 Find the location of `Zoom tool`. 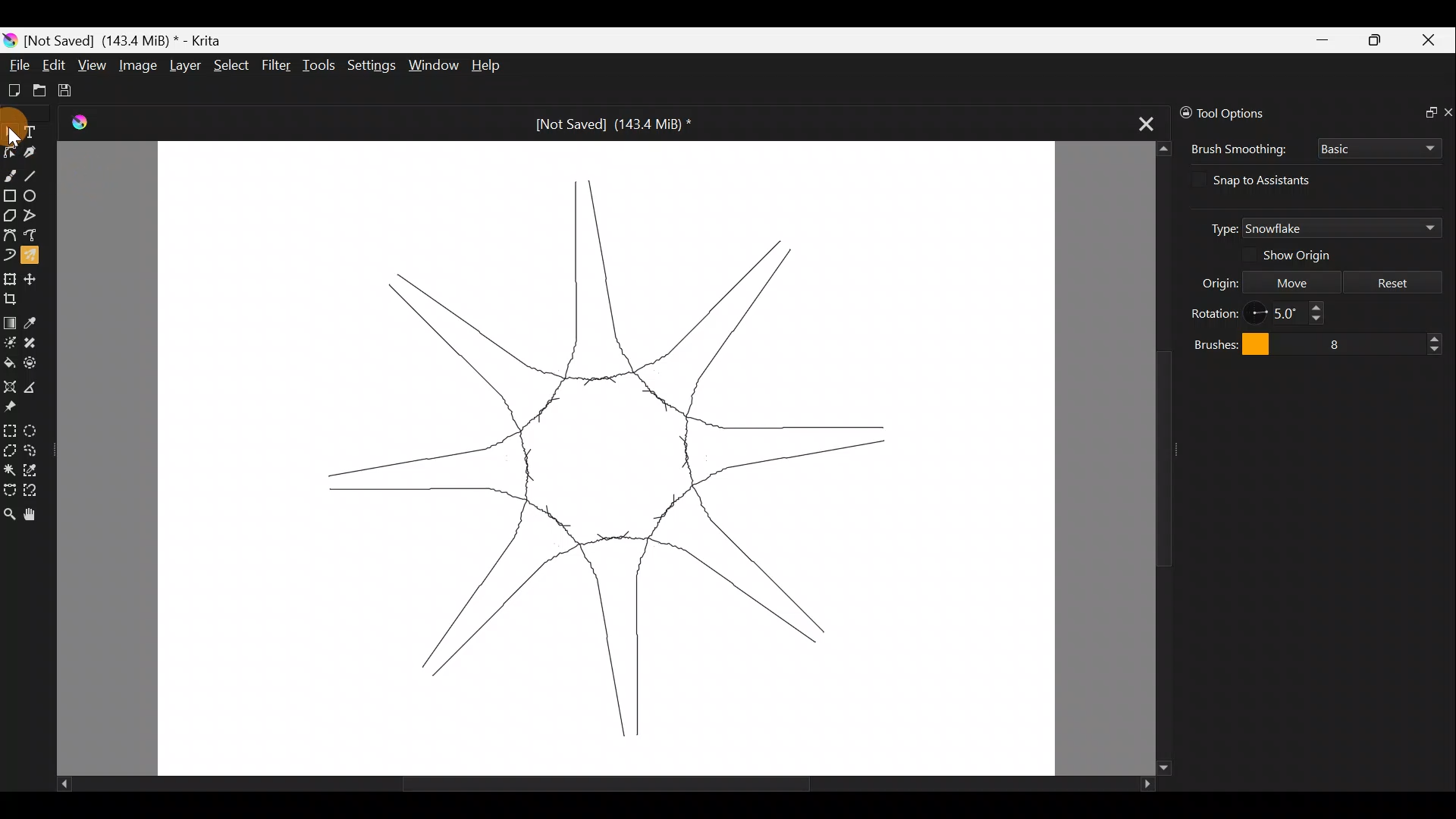

Zoom tool is located at coordinates (9, 516).